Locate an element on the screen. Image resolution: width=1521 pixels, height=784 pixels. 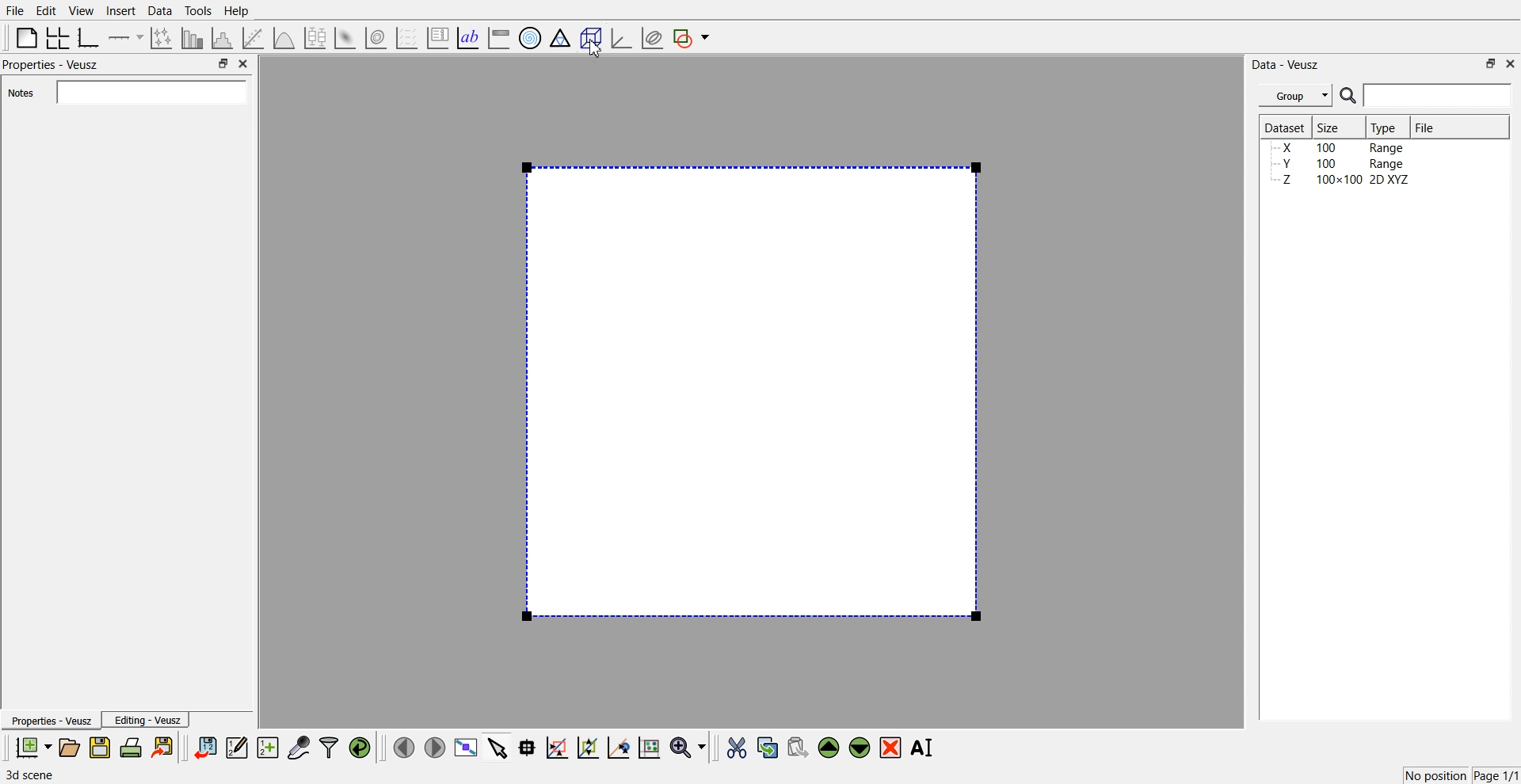
Click to reset graph axes is located at coordinates (649, 746).